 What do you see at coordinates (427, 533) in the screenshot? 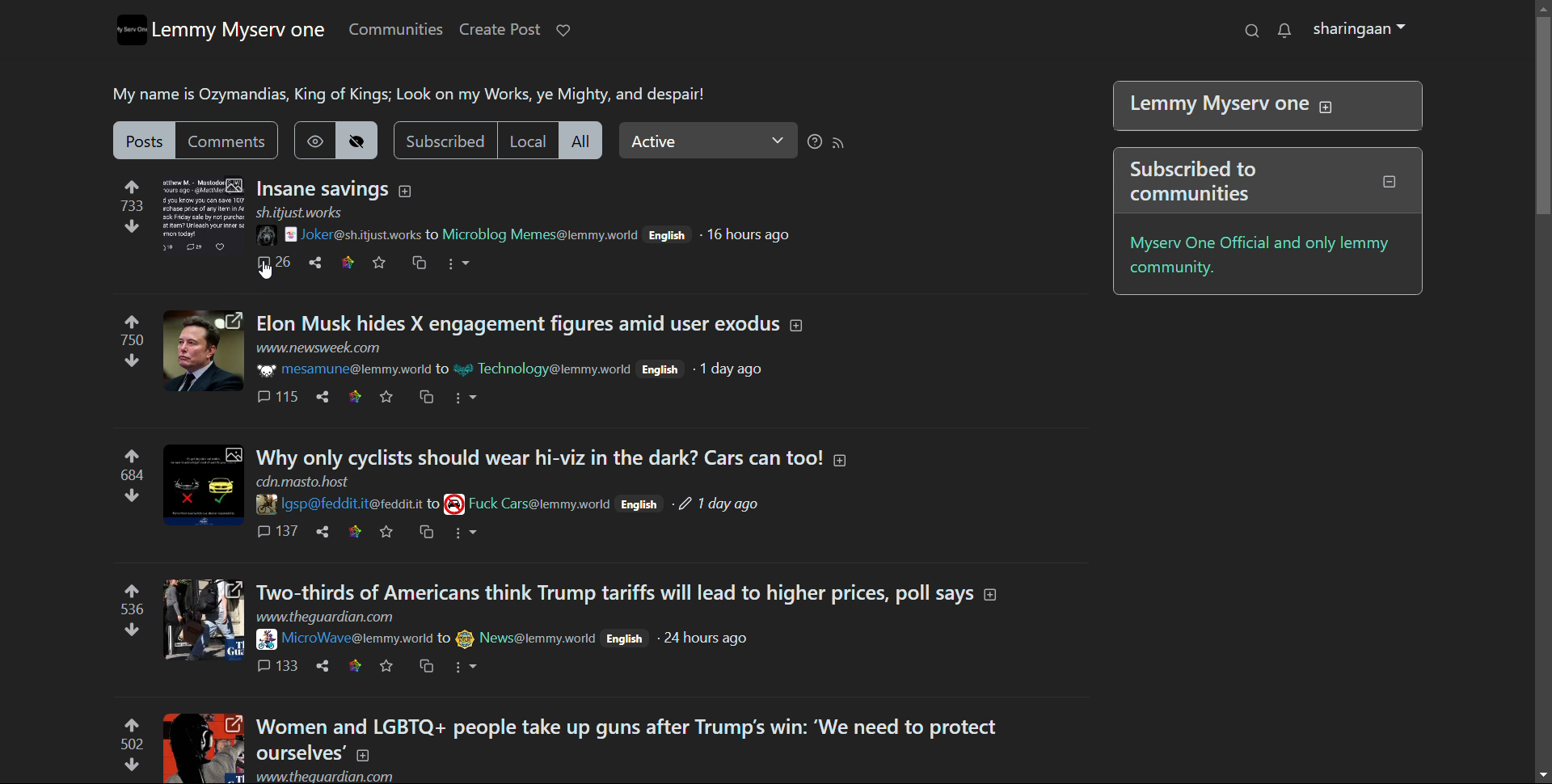
I see `crosspost` at bounding box center [427, 533].